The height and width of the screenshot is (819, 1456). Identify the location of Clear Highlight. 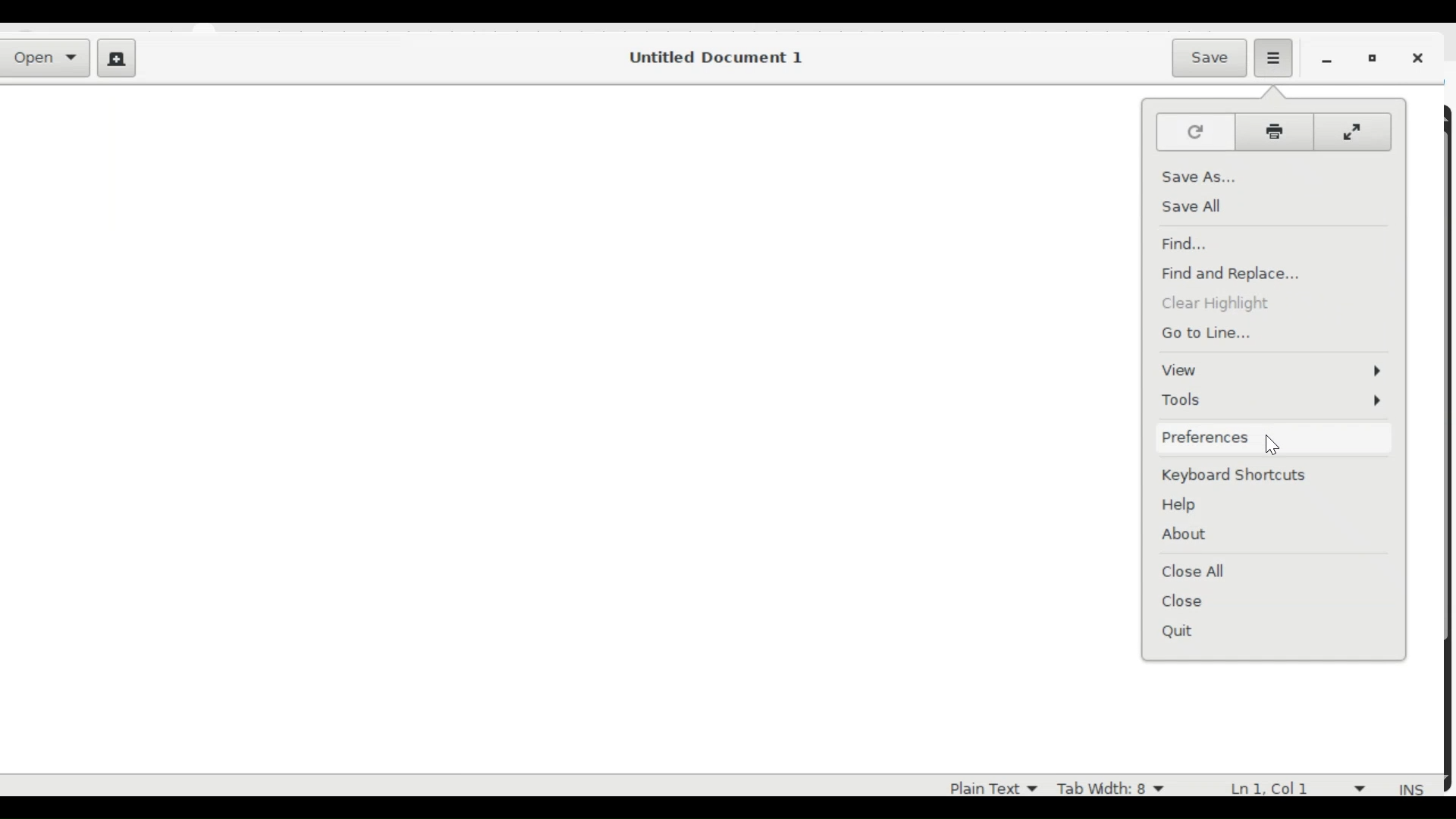
(1226, 306).